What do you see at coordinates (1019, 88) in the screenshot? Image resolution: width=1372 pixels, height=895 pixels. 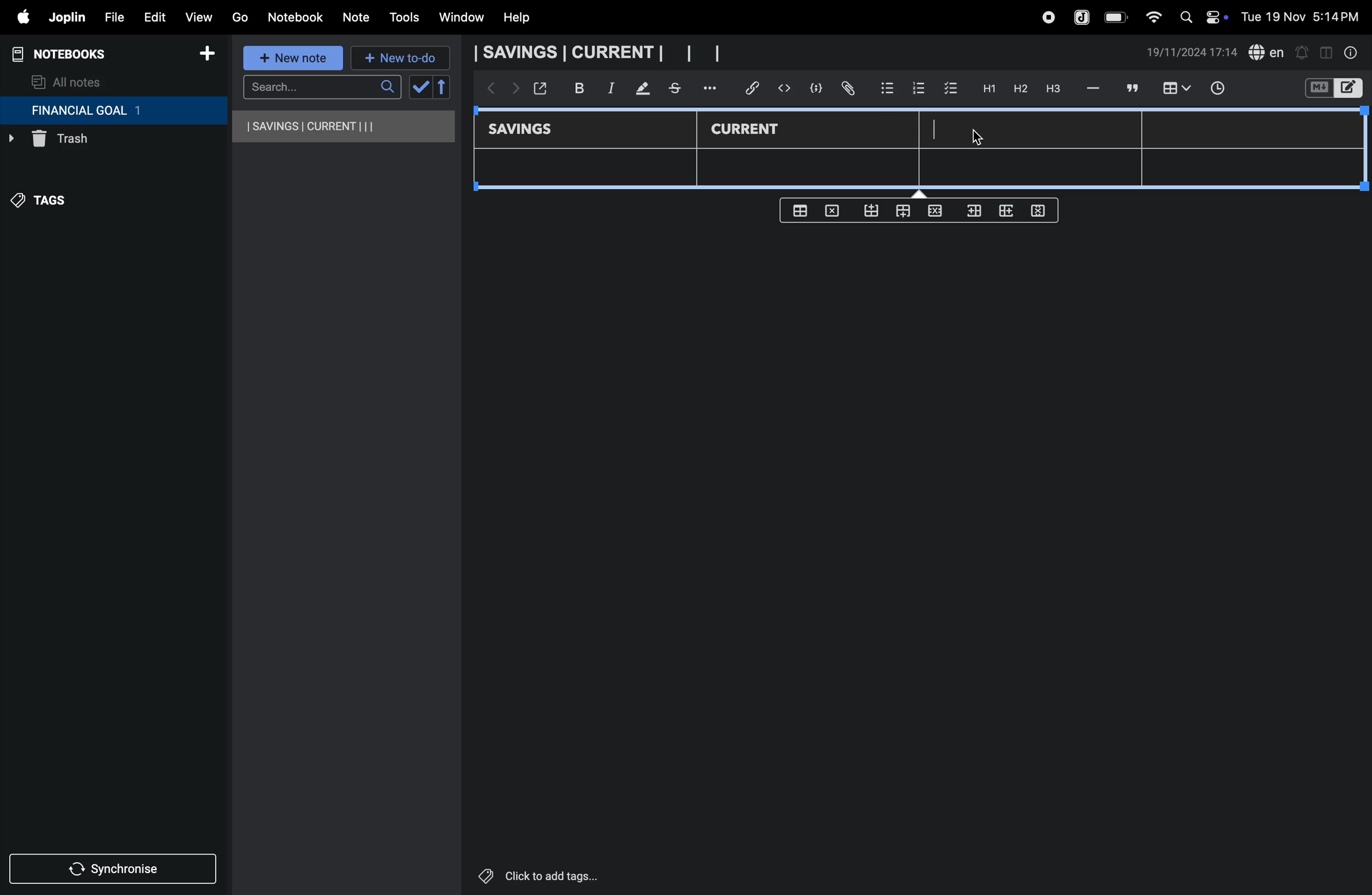 I see `h2` at bounding box center [1019, 88].